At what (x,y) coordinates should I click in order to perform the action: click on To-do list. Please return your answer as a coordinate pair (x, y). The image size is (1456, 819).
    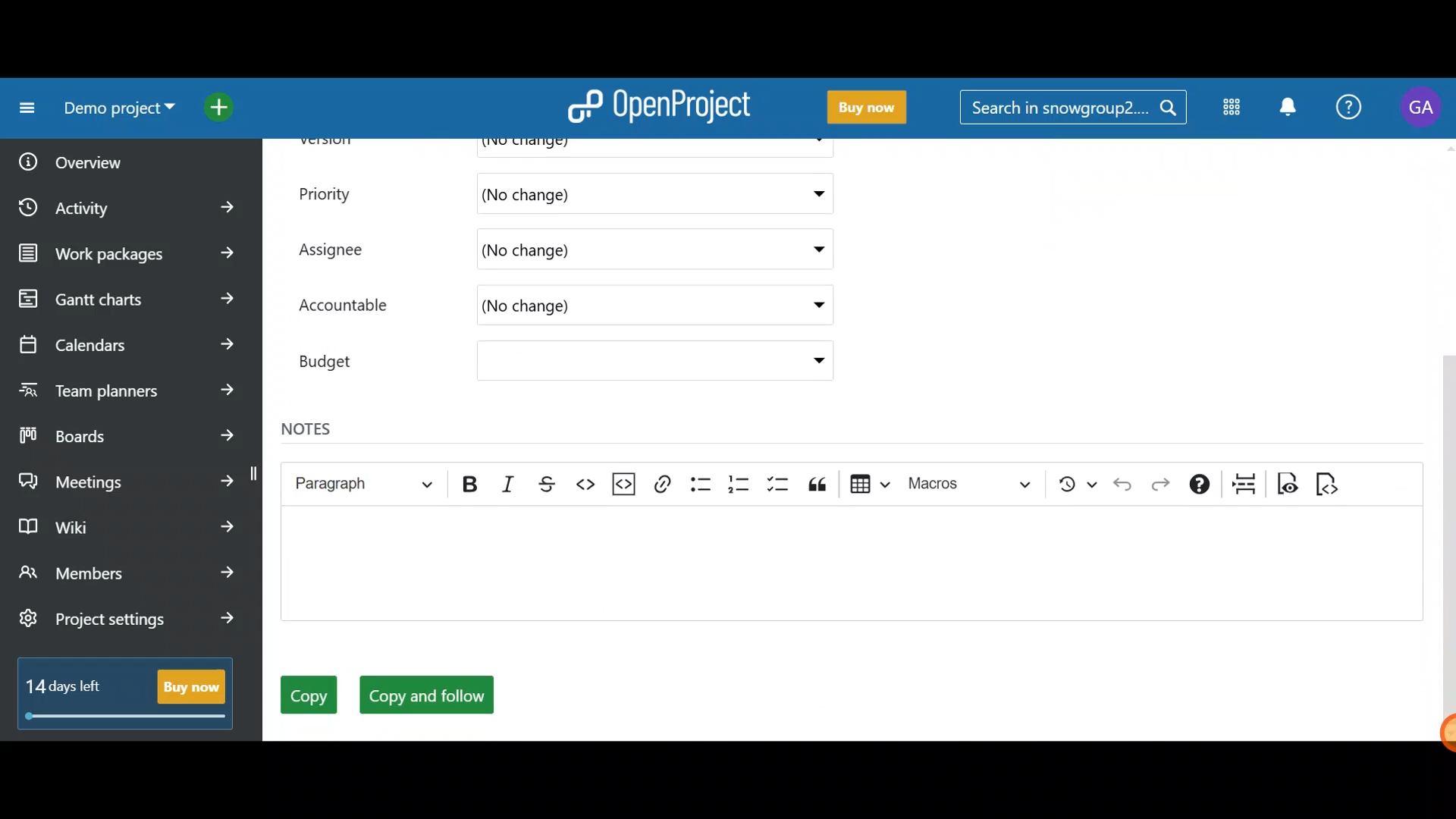
    Looking at the image, I should click on (780, 487).